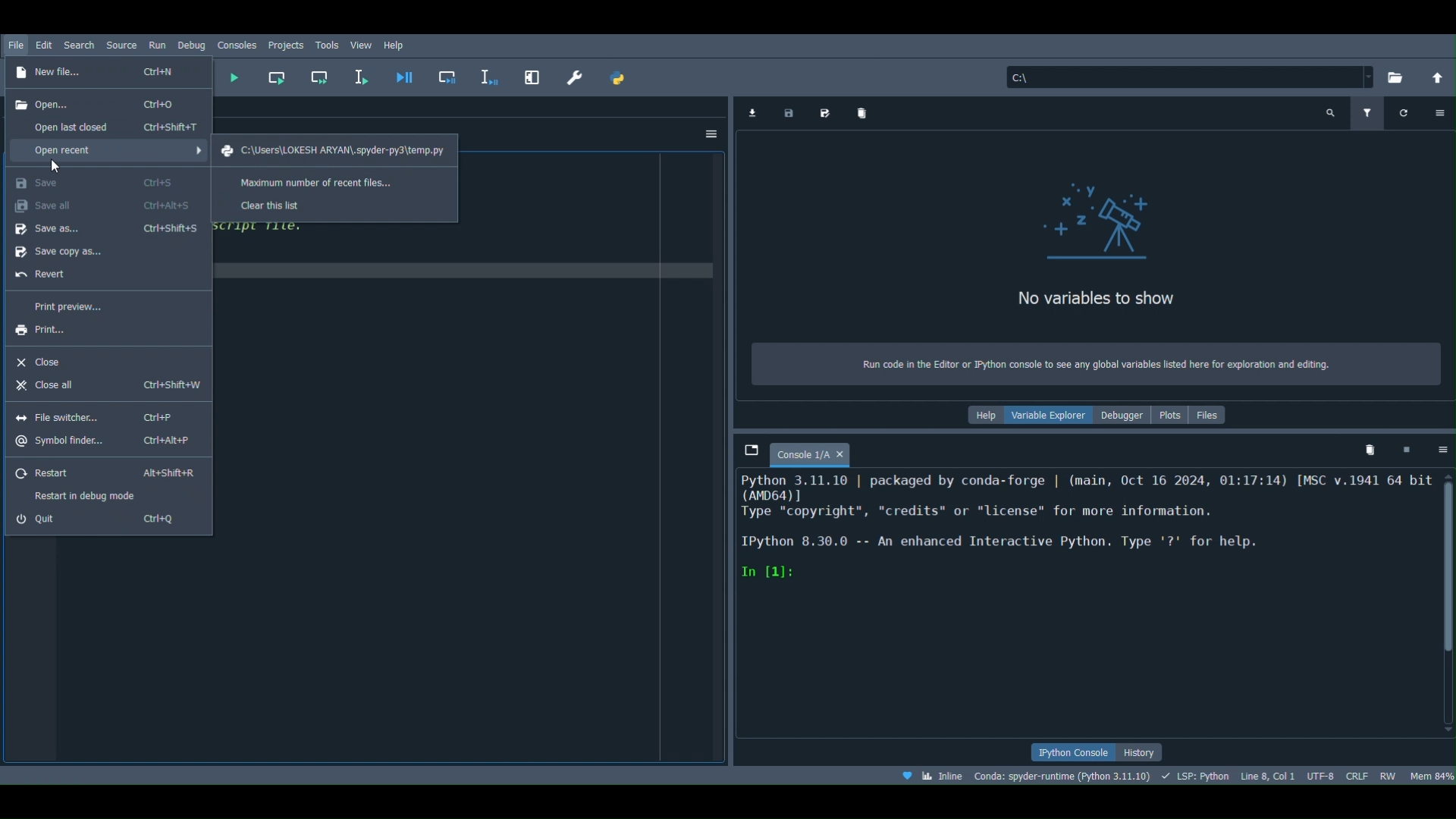 This screenshot has height=819, width=1456. Describe the element at coordinates (1266, 774) in the screenshot. I see `Cursor position` at that location.